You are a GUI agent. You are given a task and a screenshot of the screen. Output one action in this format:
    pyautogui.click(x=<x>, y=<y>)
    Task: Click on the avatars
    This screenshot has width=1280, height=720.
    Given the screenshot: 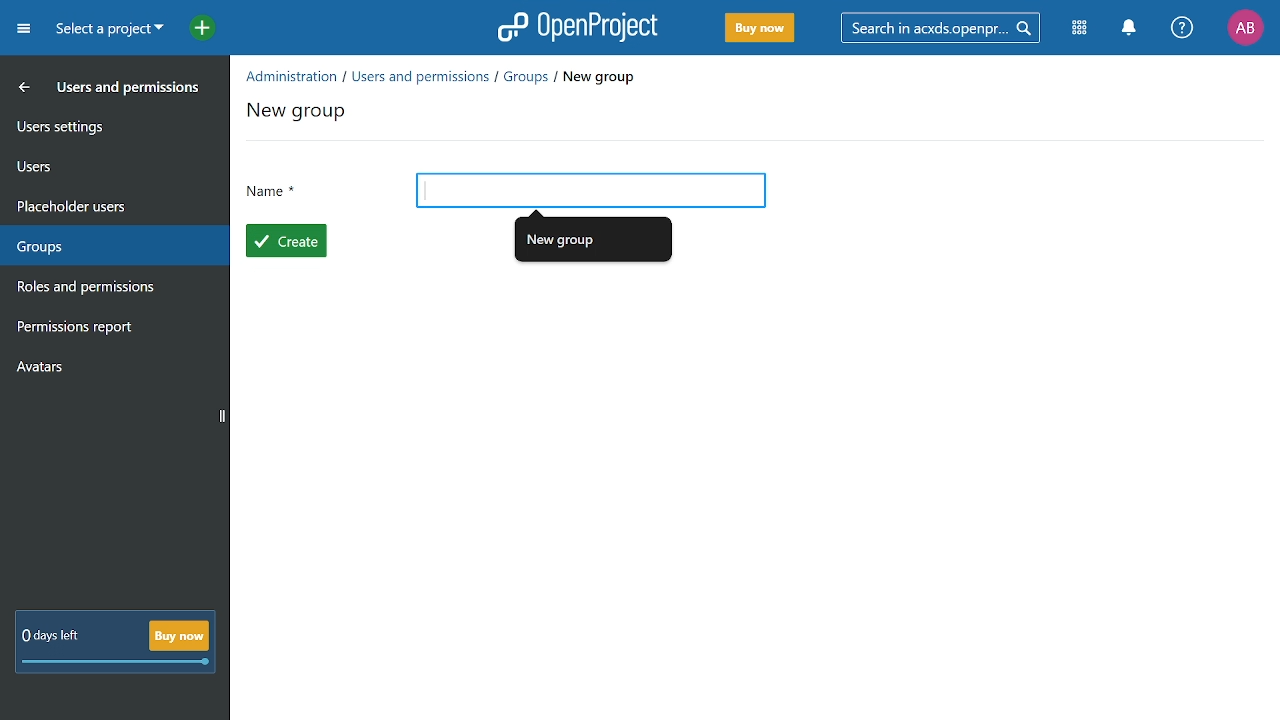 What is the action you would take?
    pyautogui.click(x=104, y=365)
    